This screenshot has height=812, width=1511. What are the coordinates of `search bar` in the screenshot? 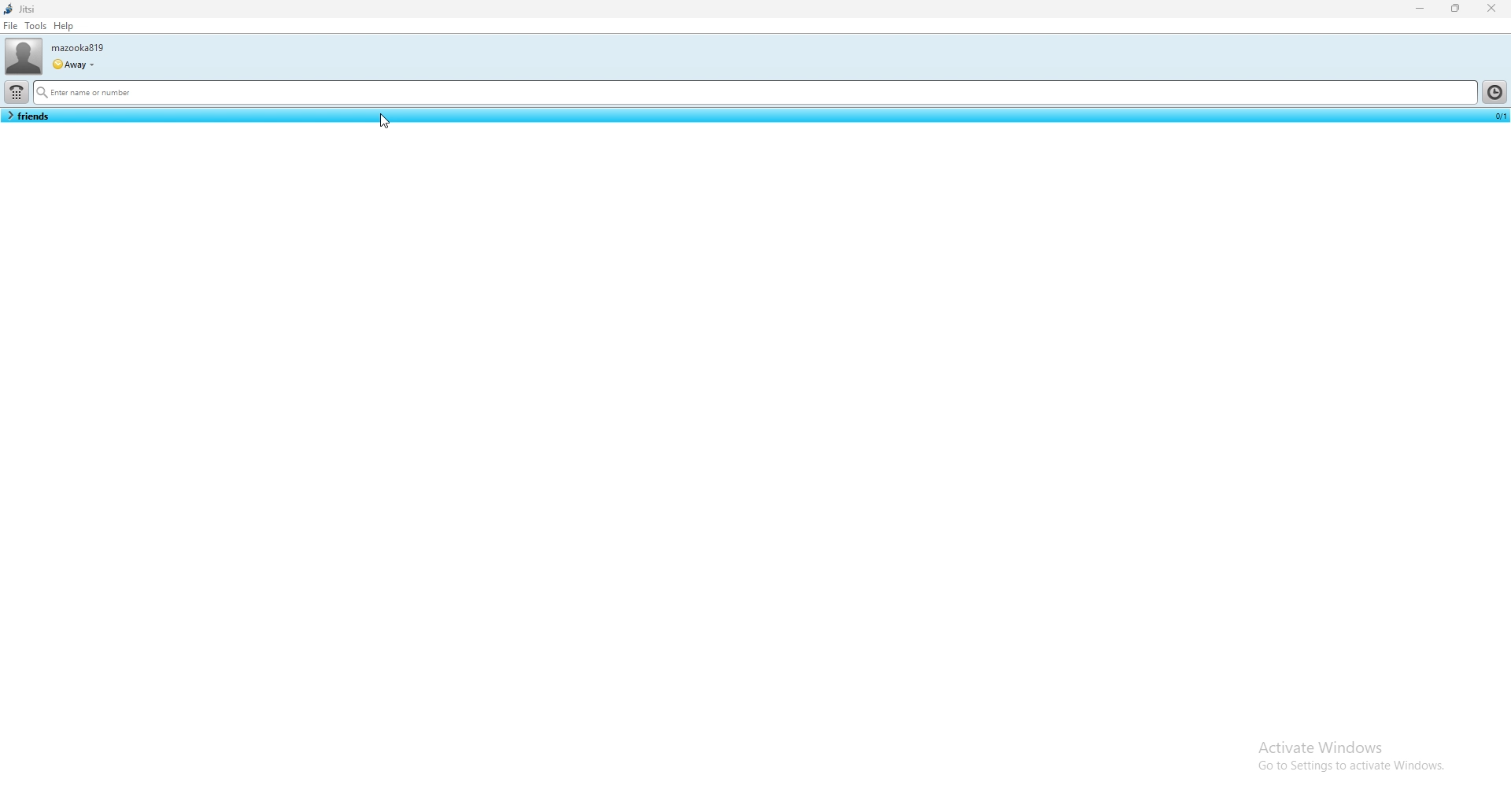 It's located at (753, 93).